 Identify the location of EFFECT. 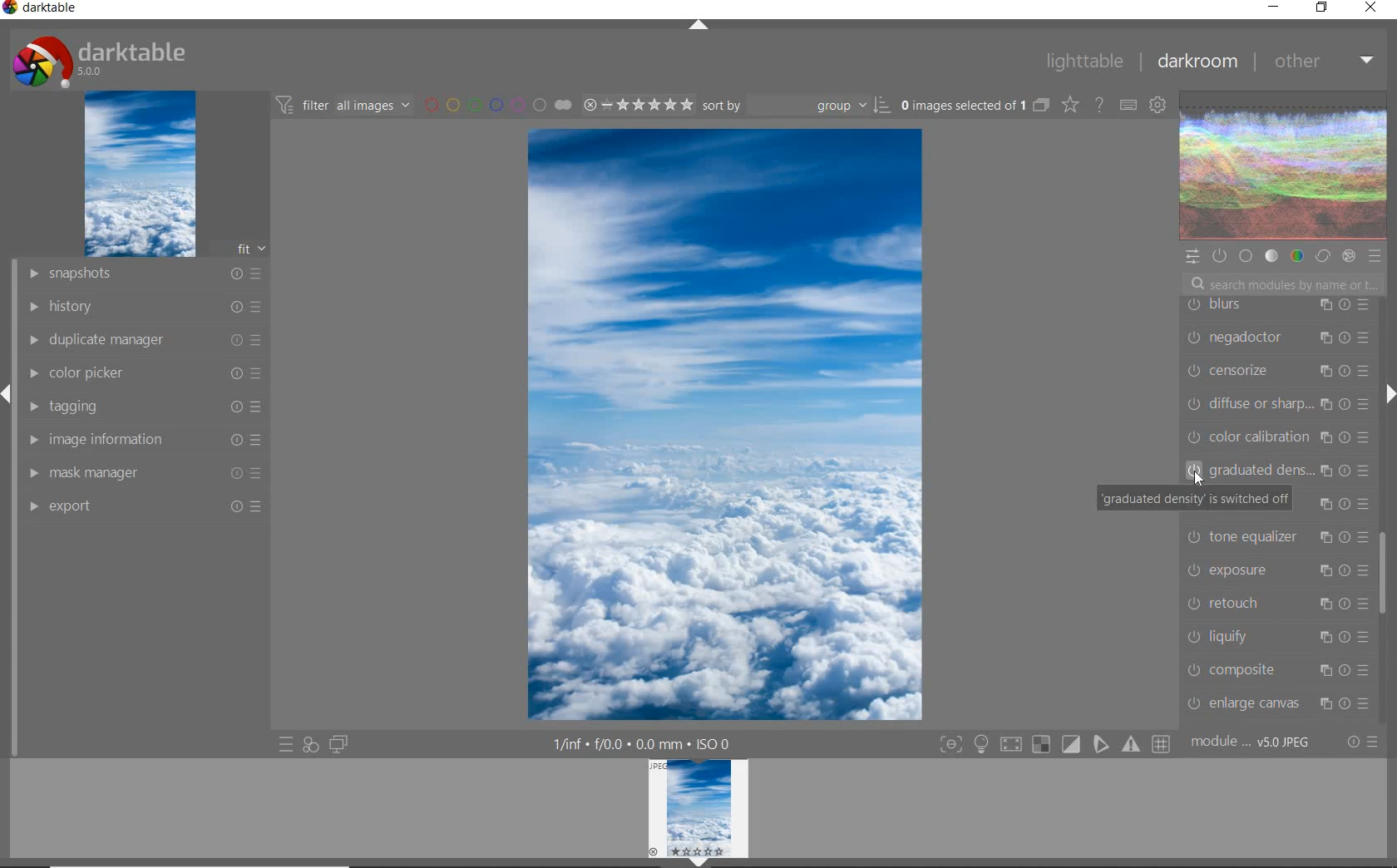
(1349, 256).